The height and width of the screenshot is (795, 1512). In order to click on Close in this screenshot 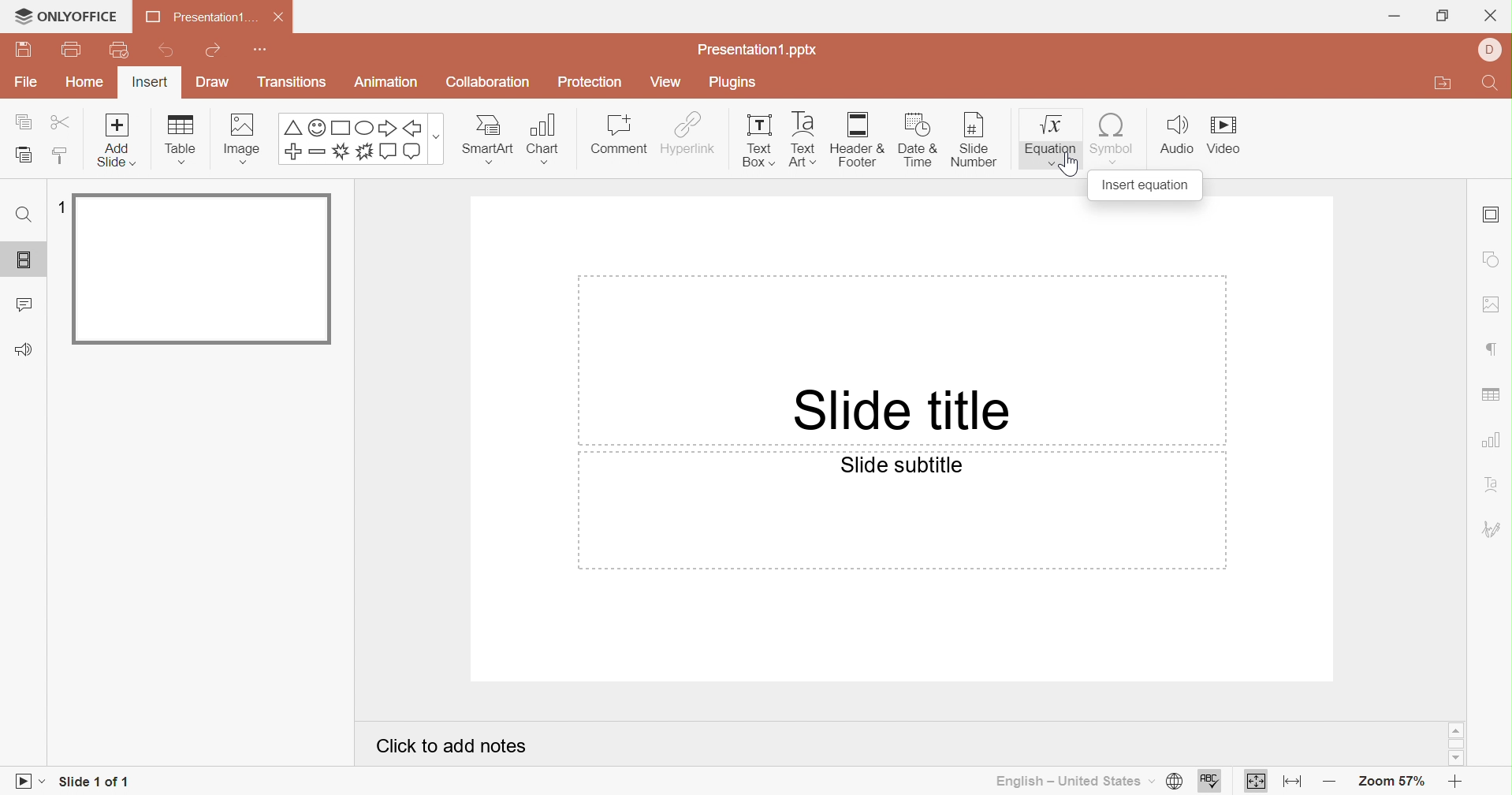, I will do `click(278, 18)`.